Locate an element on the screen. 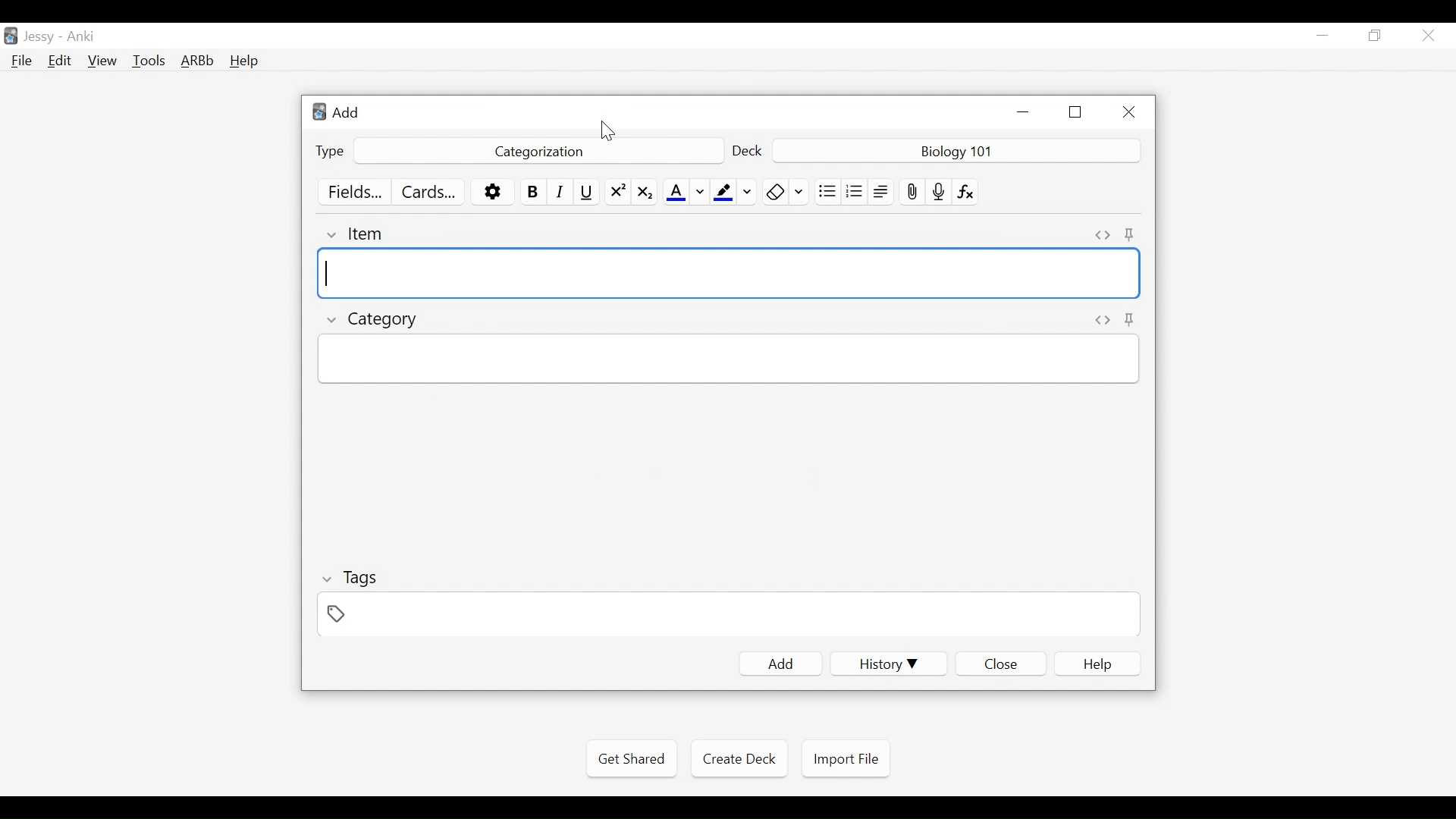 This screenshot has width=1456, height=819. Restore is located at coordinates (1376, 36).